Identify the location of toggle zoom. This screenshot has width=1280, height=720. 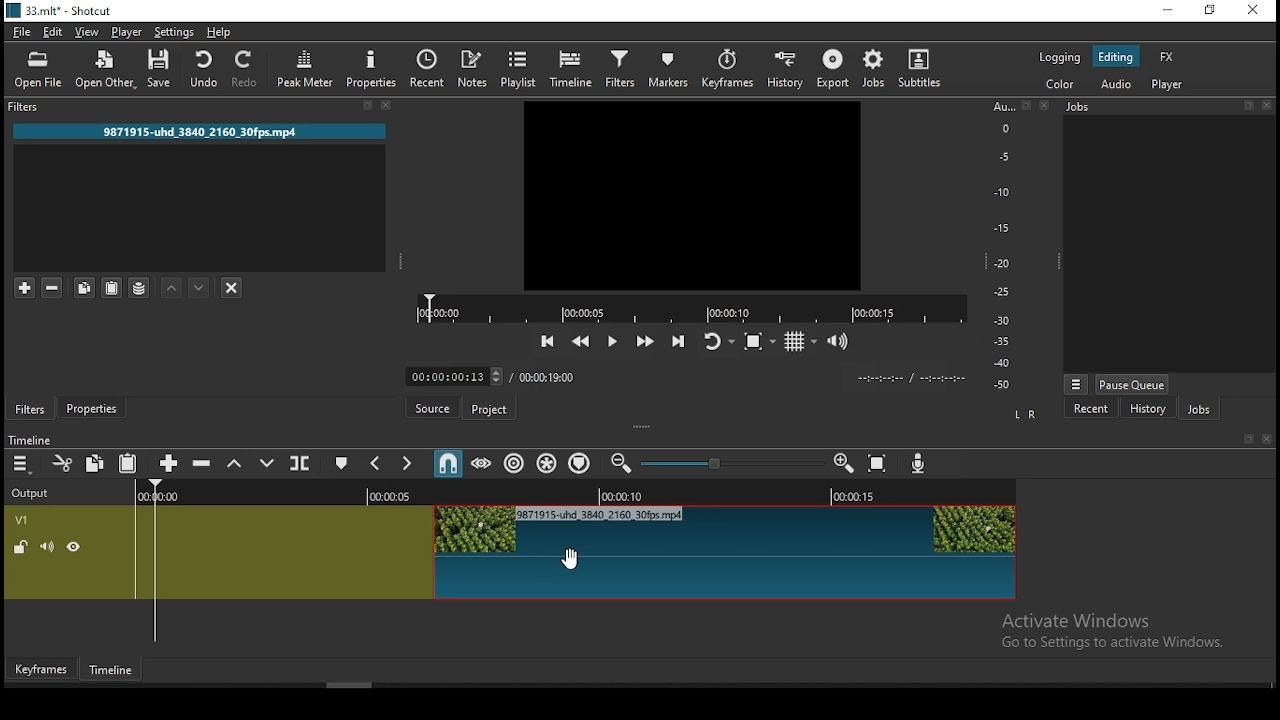
(759, 340).